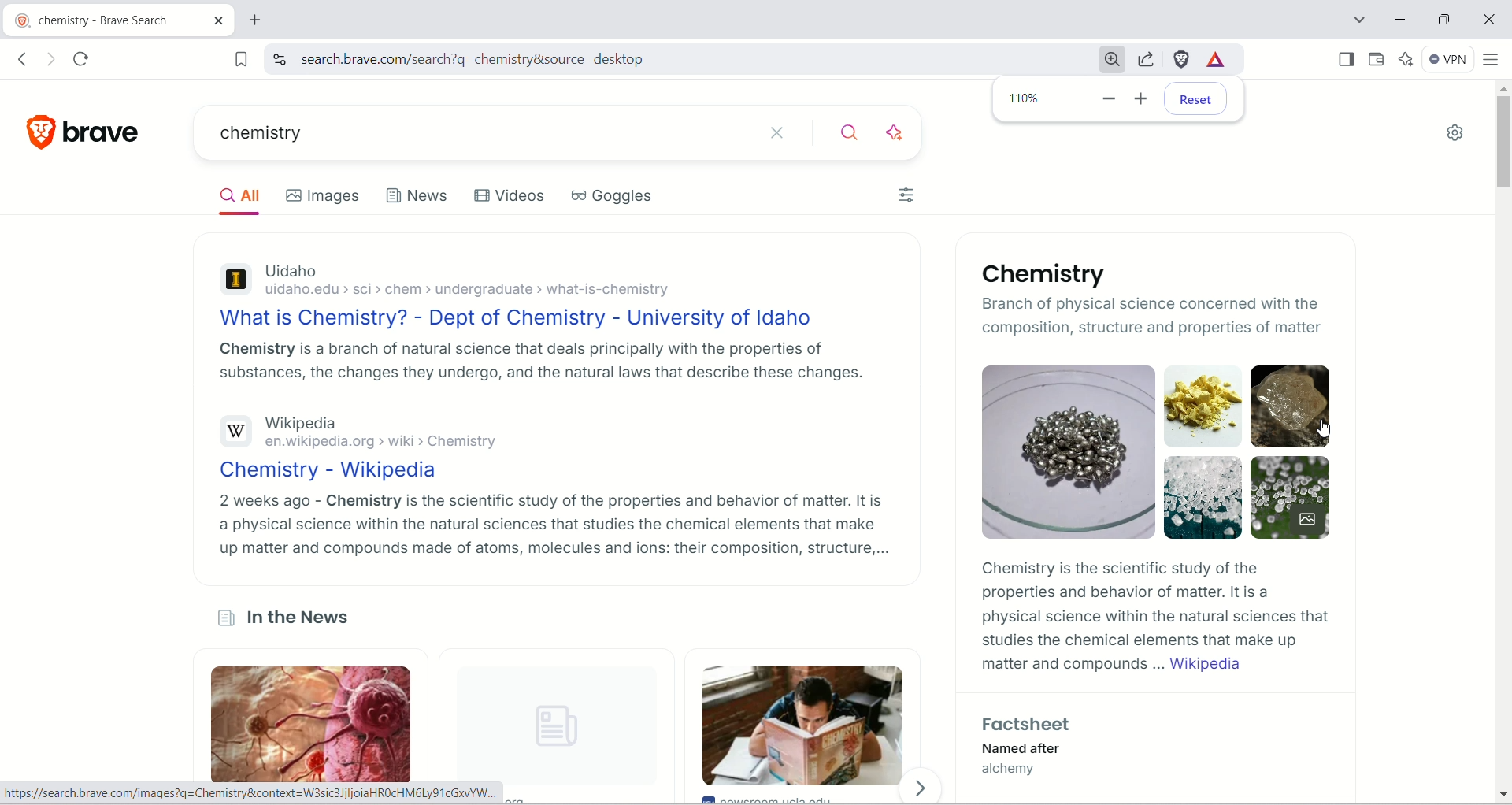 The image size is (1512, 805). I want to click on Zoom , so click(1110, 58).